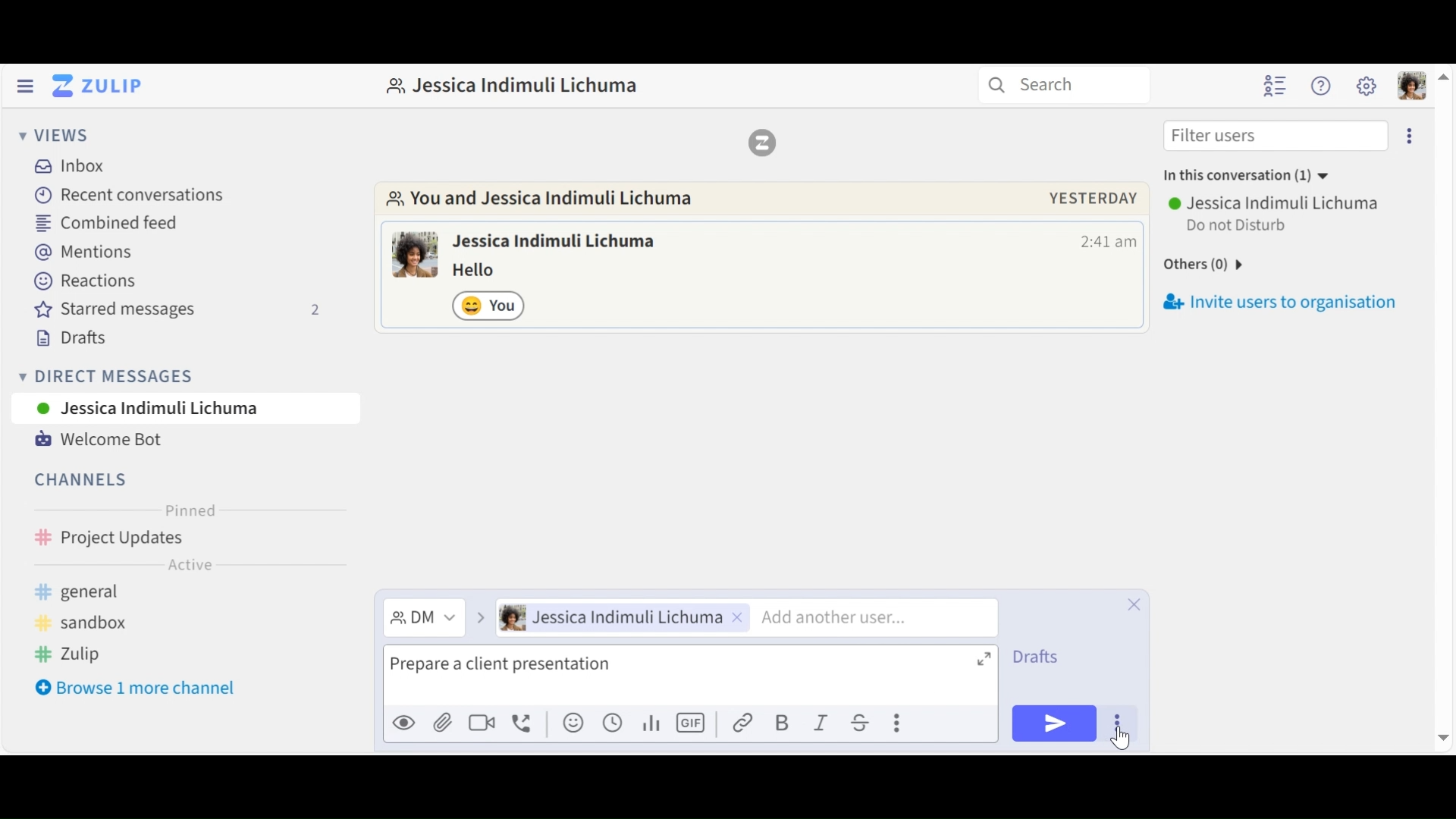 This screenshot has height=819, width=1456. What do you see at coordinates (1323, 86) in the screenshot?
I see `Help menu` at bounding box center [1323, 86].